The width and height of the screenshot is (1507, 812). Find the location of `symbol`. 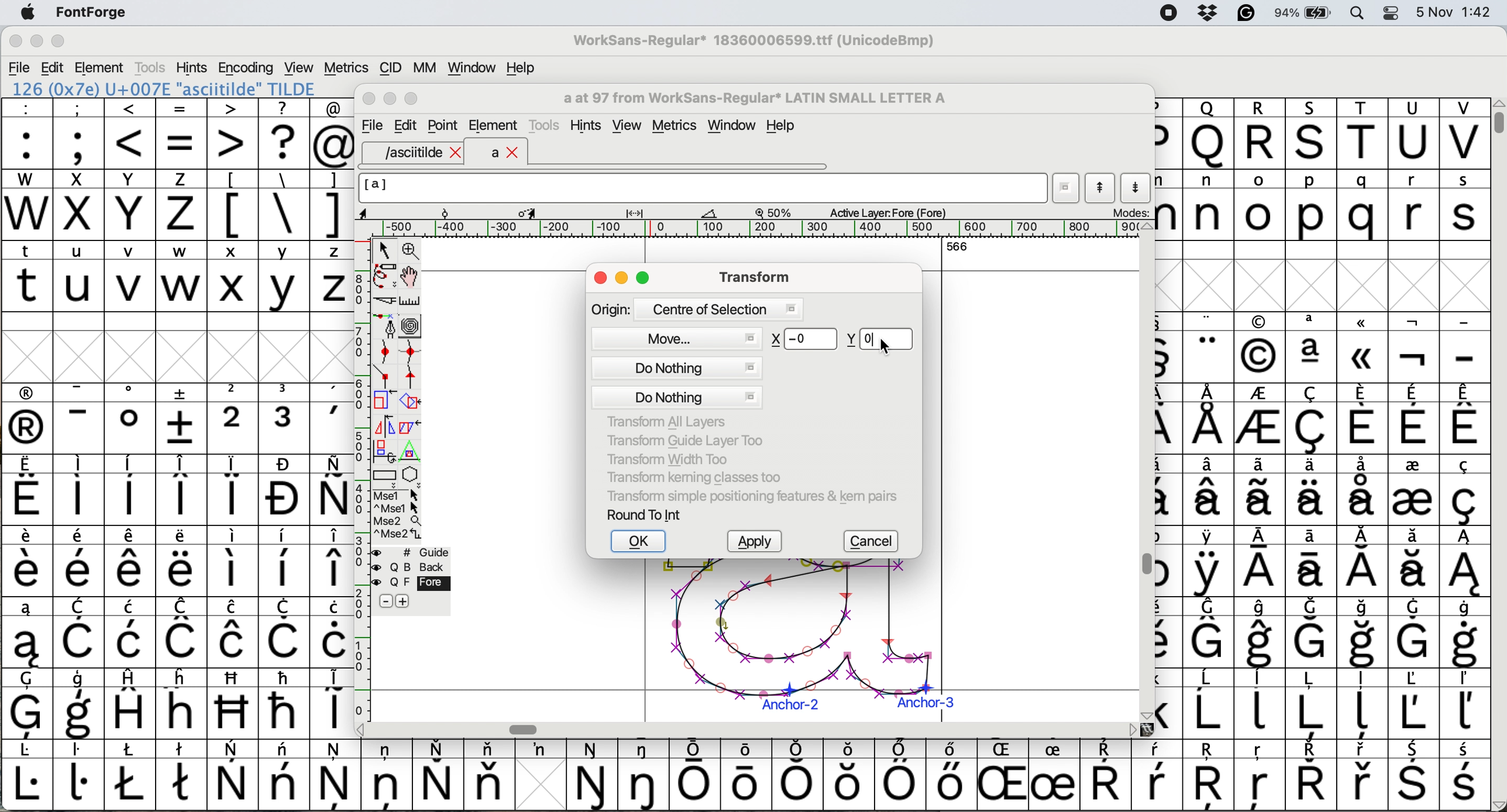

symbol is located at coordinates (133, 703).